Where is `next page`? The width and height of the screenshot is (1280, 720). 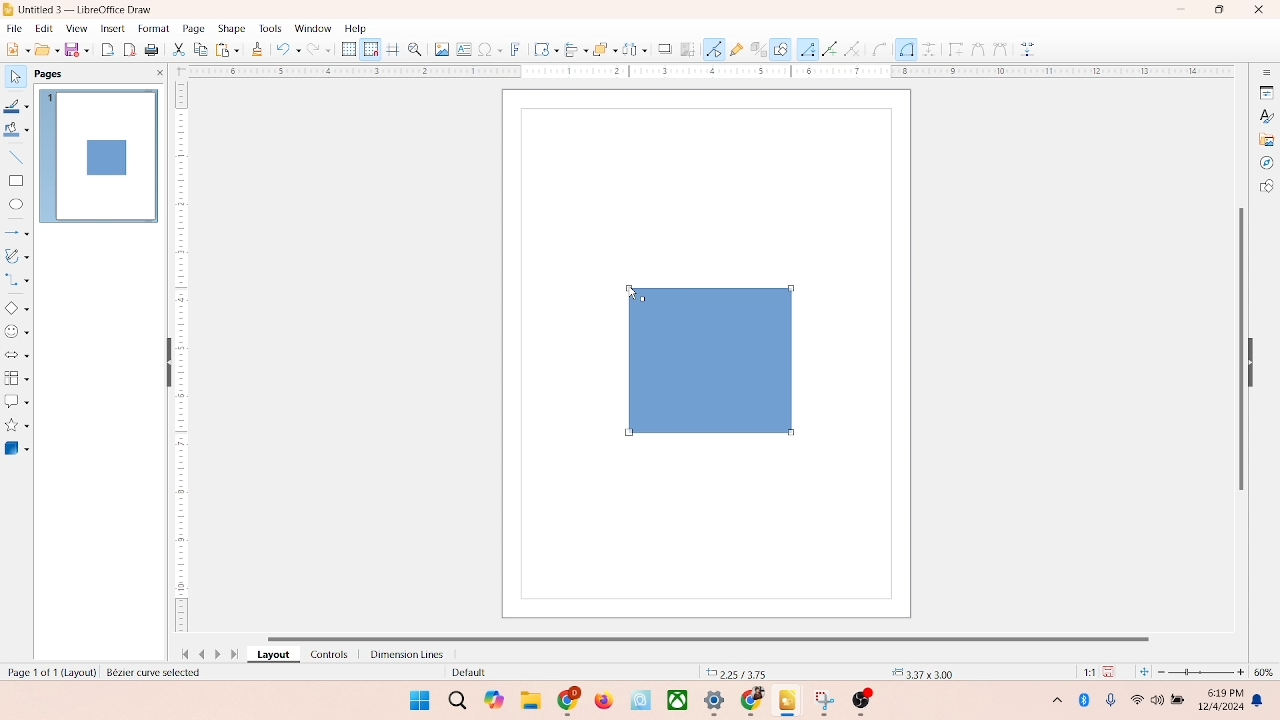
next page is located at coordinates (220, 654).